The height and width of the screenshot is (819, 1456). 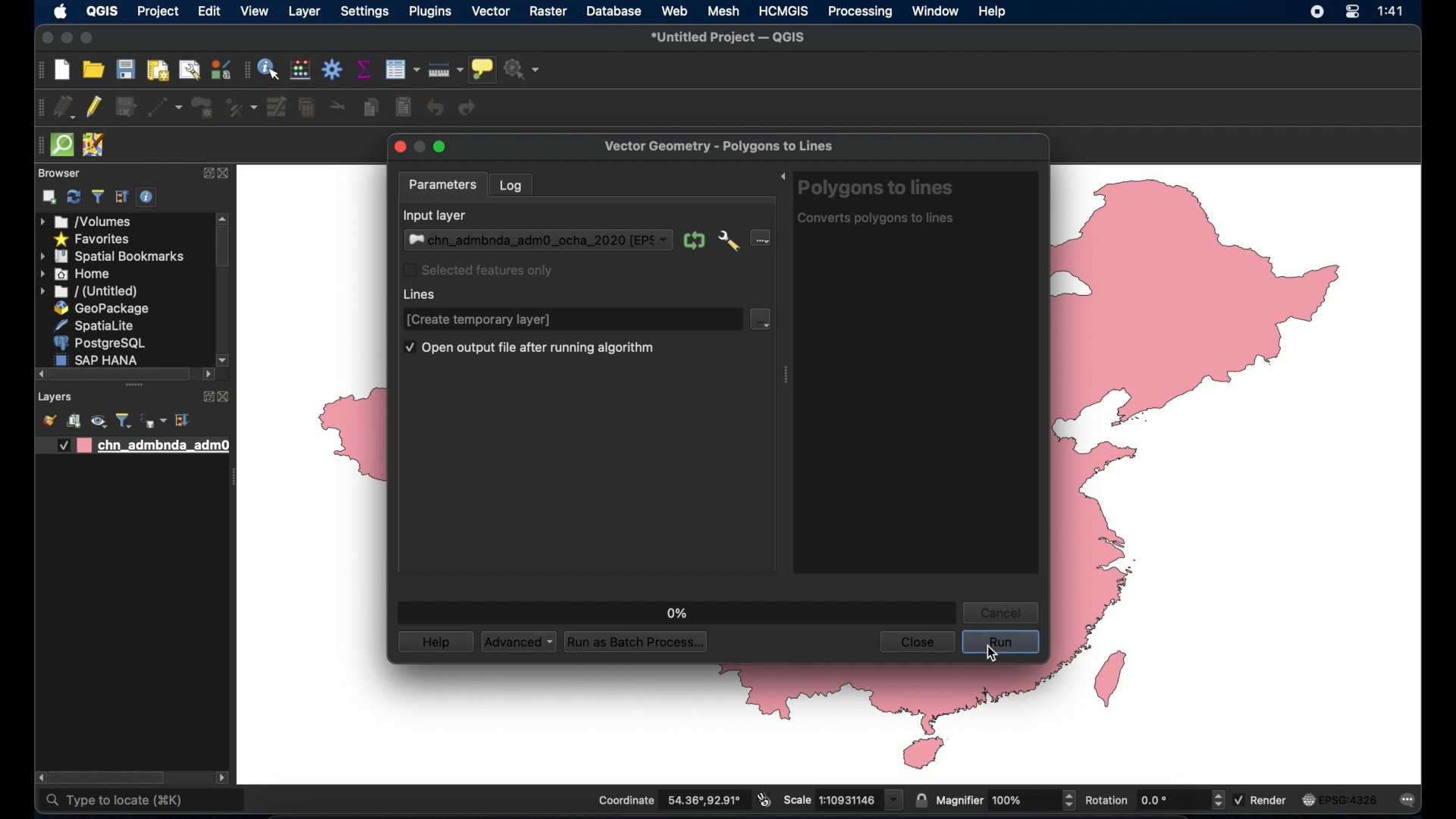 I want to click on polygons to lines tool info, so click(x=886, y=204).